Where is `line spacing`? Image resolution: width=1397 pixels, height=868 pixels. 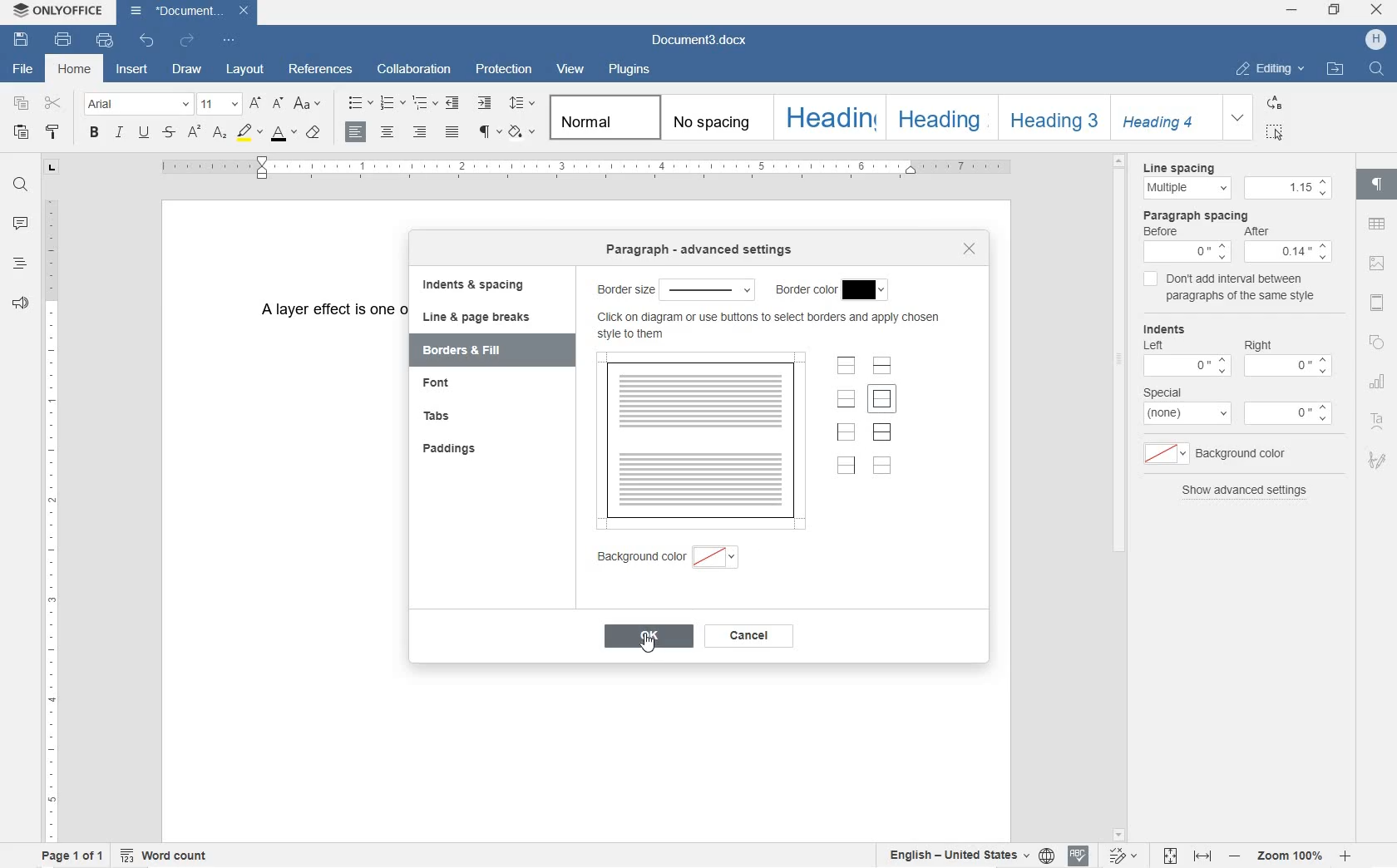
line spacing is located at coordinates (1183, 180).